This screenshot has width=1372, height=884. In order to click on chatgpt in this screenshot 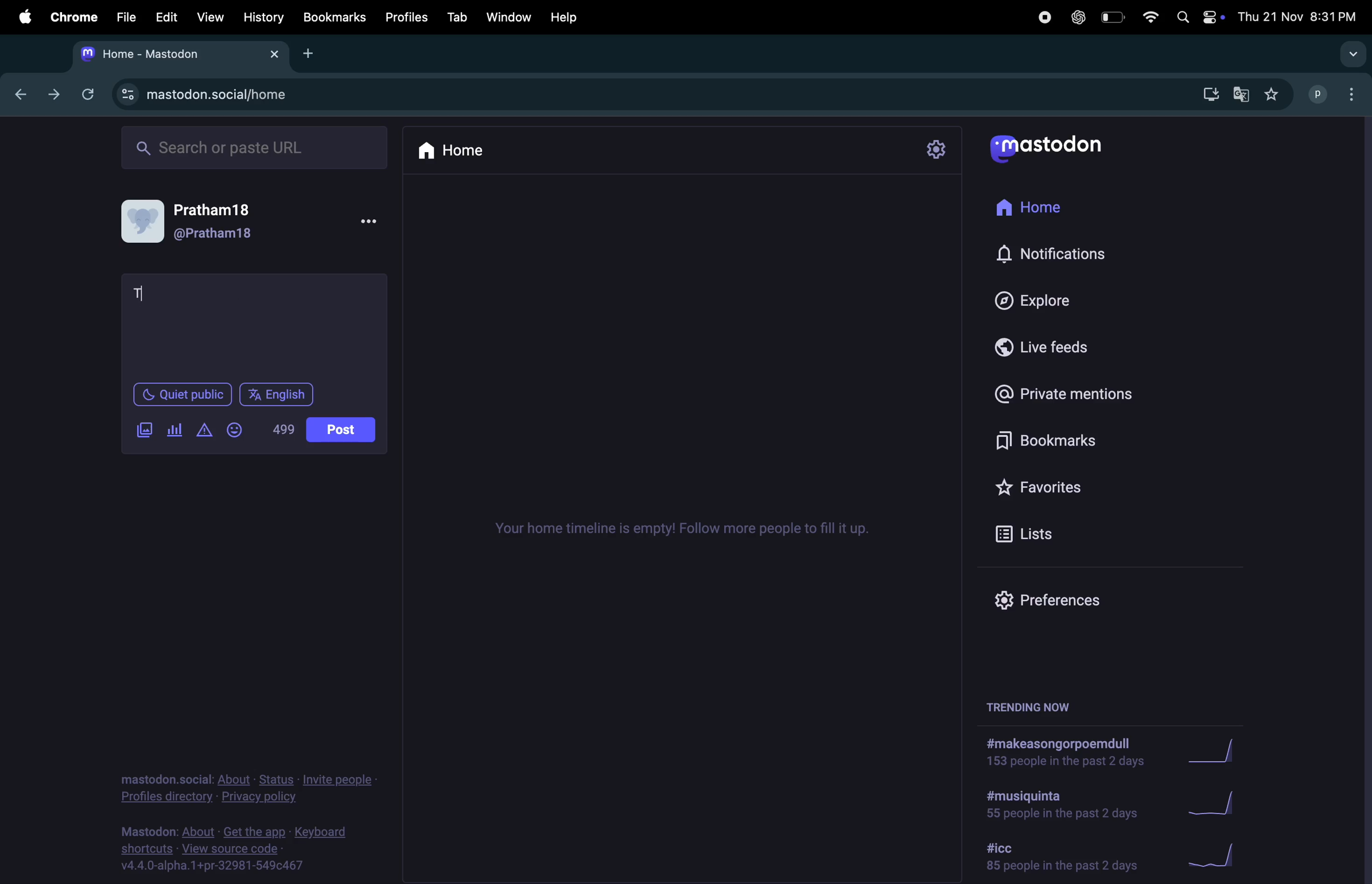, I will do `click(1076, 17)`.